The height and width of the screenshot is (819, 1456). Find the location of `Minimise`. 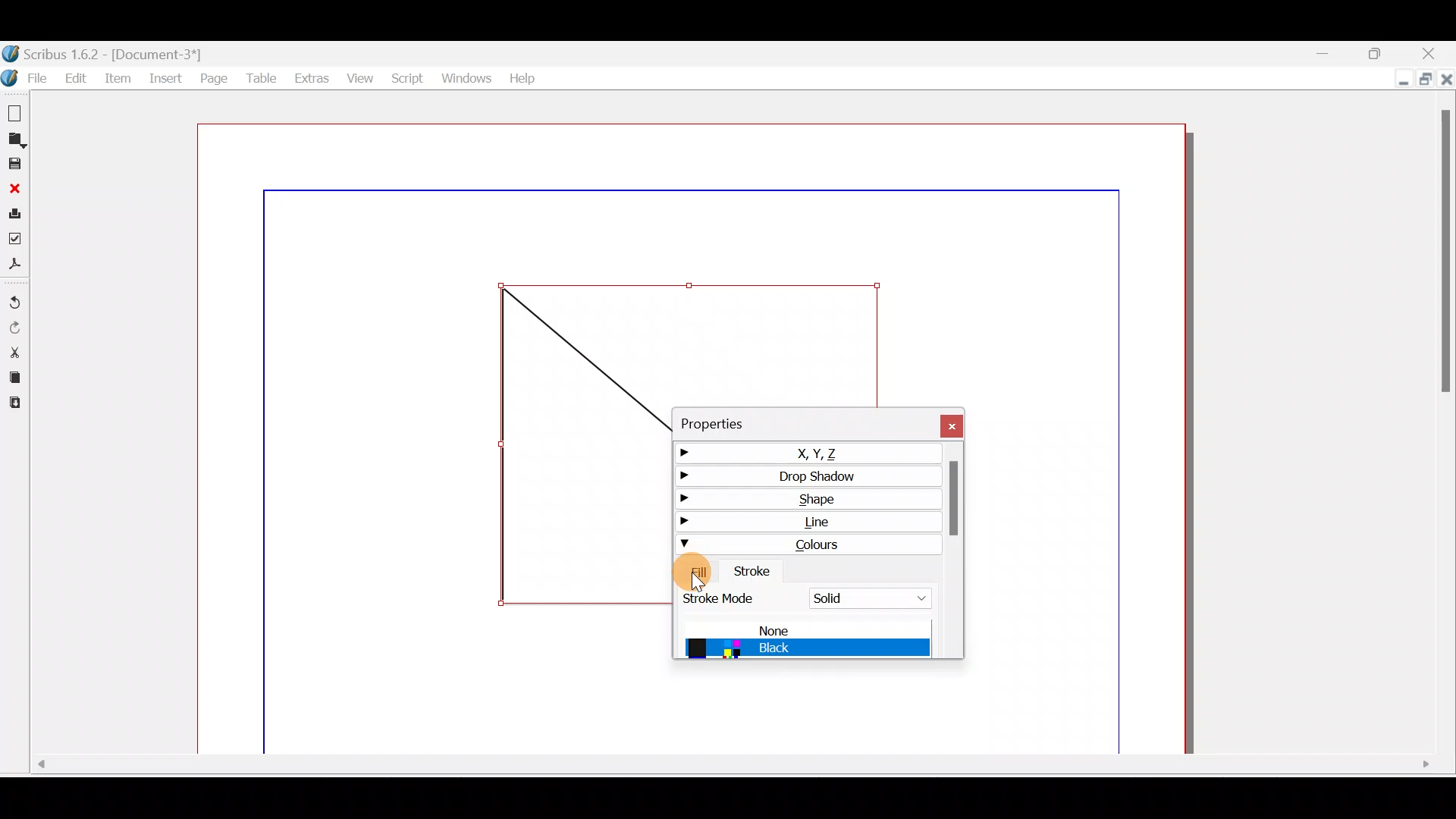

Minimise is located at coordinates (1323, 52).